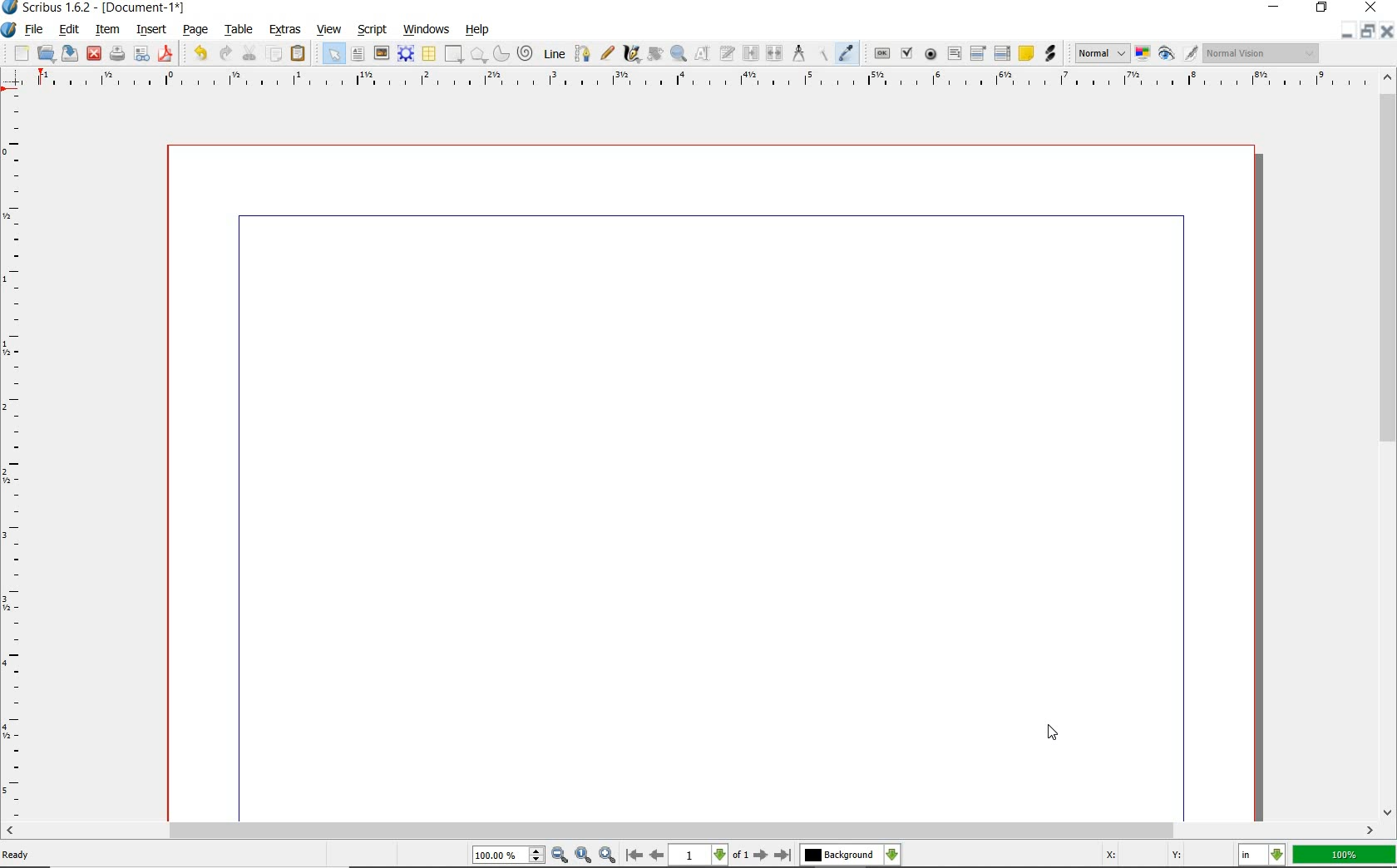 The height and width of the screenshot is (868, 1397). I want to click on zoom in/zoom to/zoom out, so click(544, 856).